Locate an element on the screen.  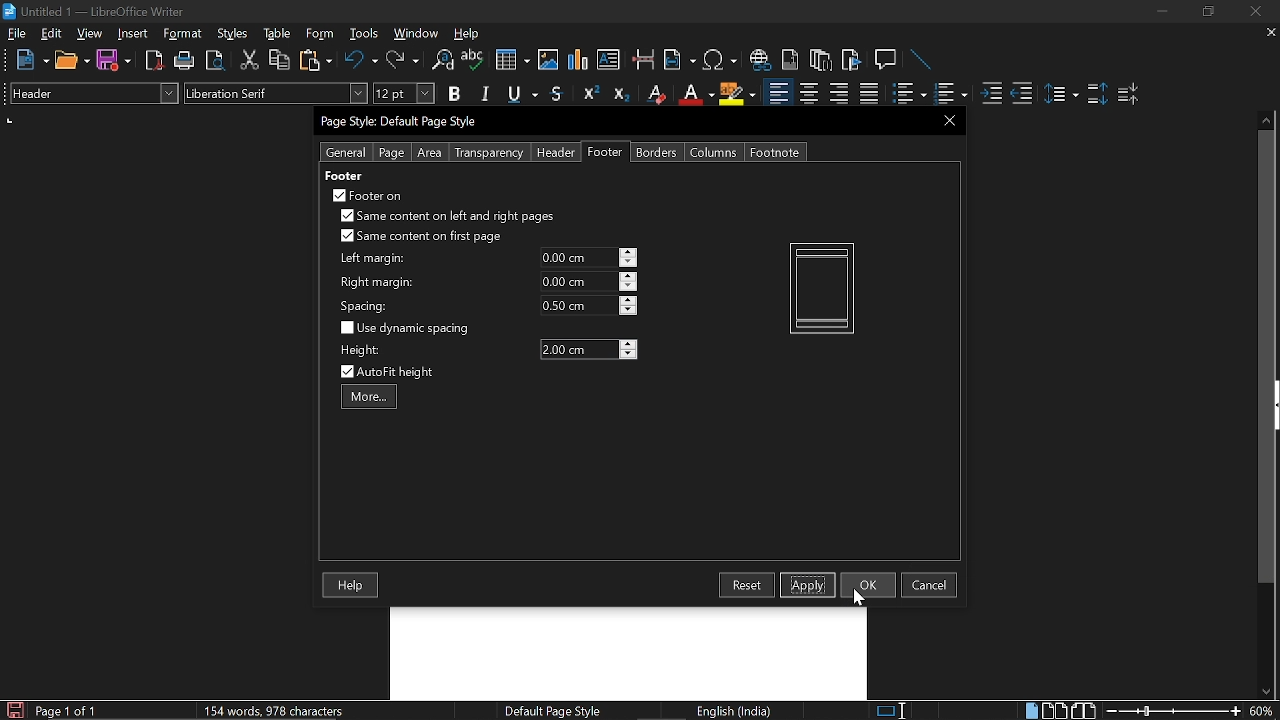
Undo is located at coordinates (362, 60).